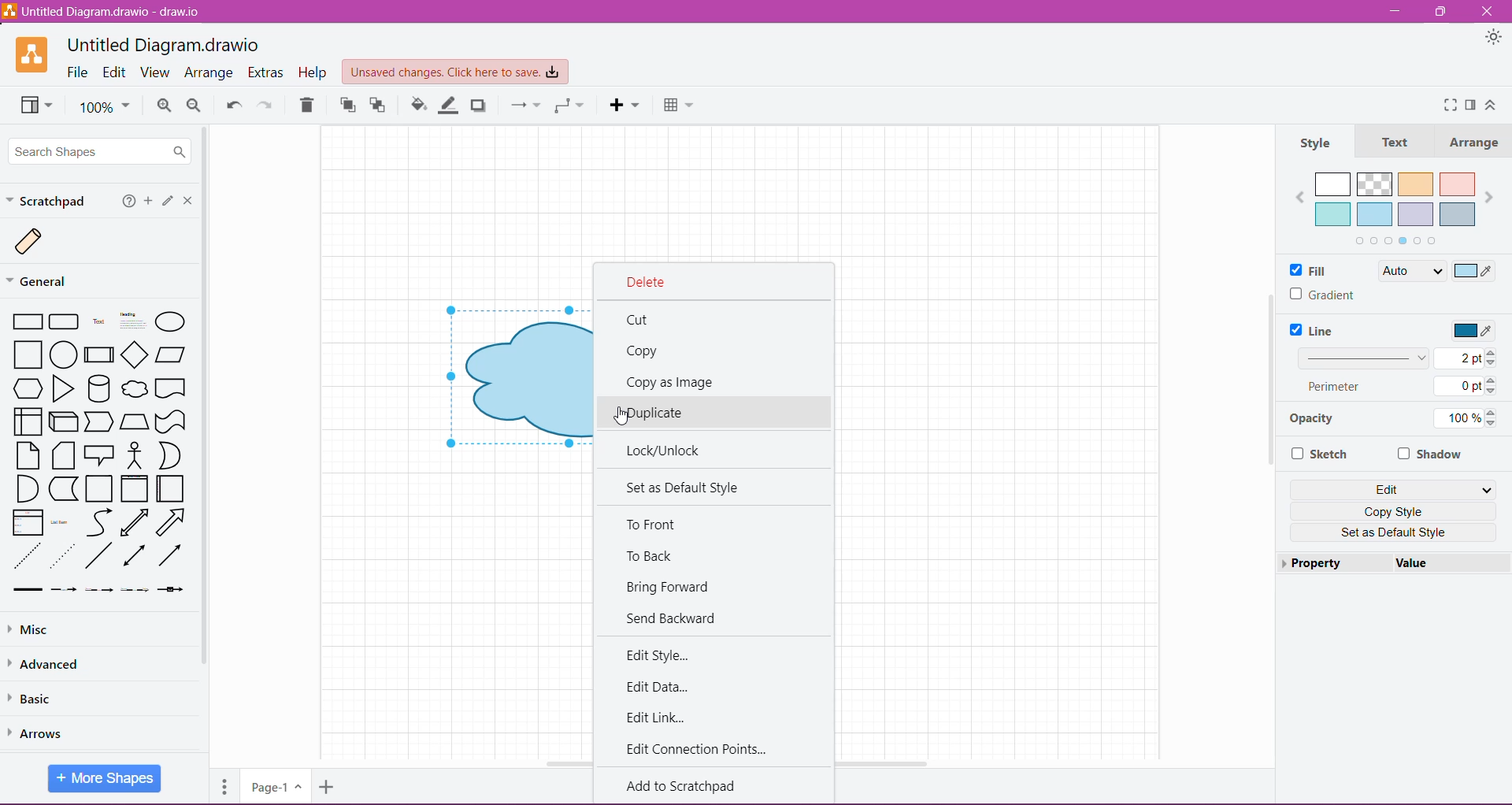 The image size is (1512, 805). What do you see at coordinates (104, 780) in the screenshot?
I see `More Shapes` at bounding box center [104, 780].